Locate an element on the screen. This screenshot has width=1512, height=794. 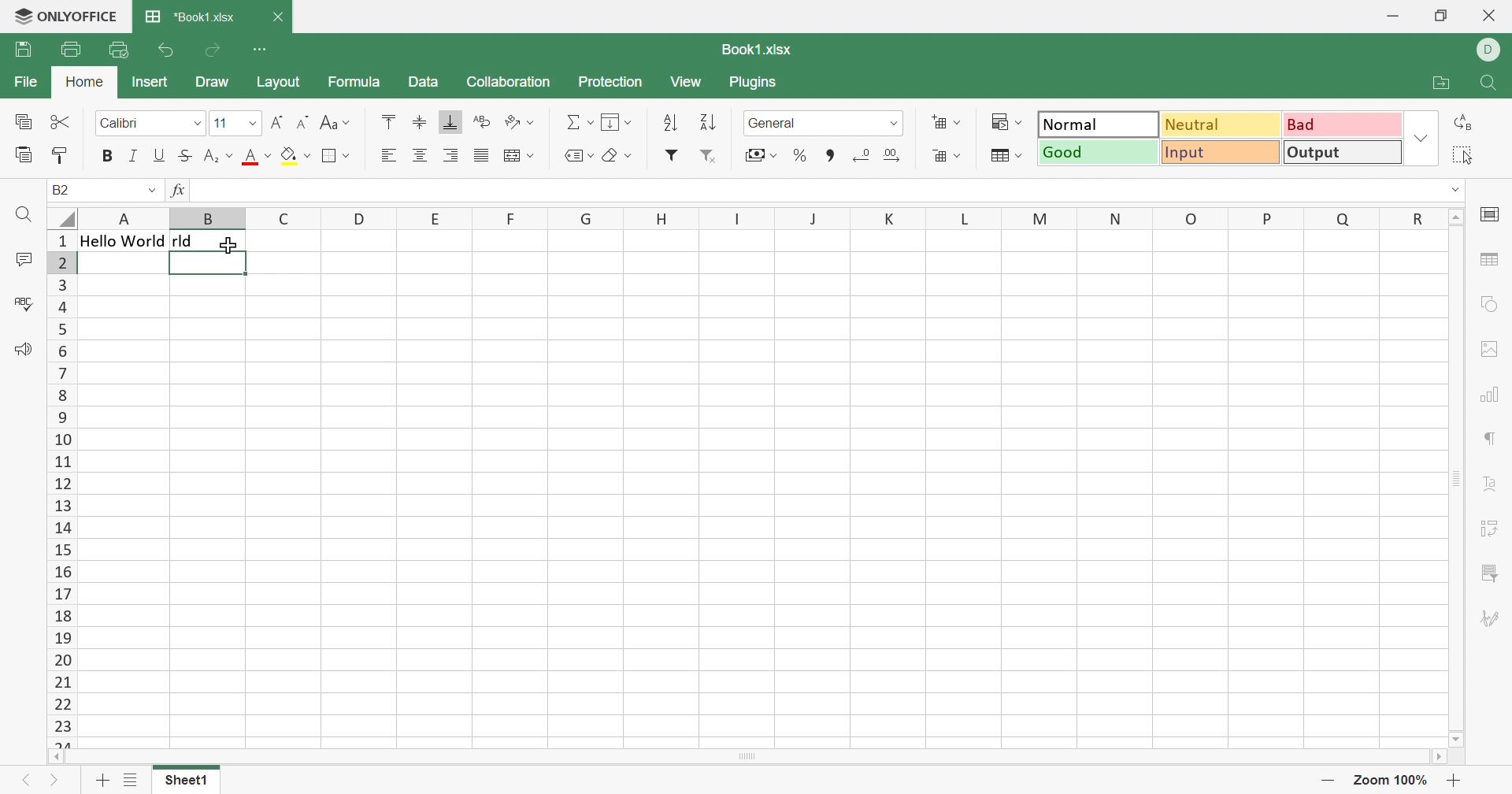
shape settings is located at coordinates (1489, 304).